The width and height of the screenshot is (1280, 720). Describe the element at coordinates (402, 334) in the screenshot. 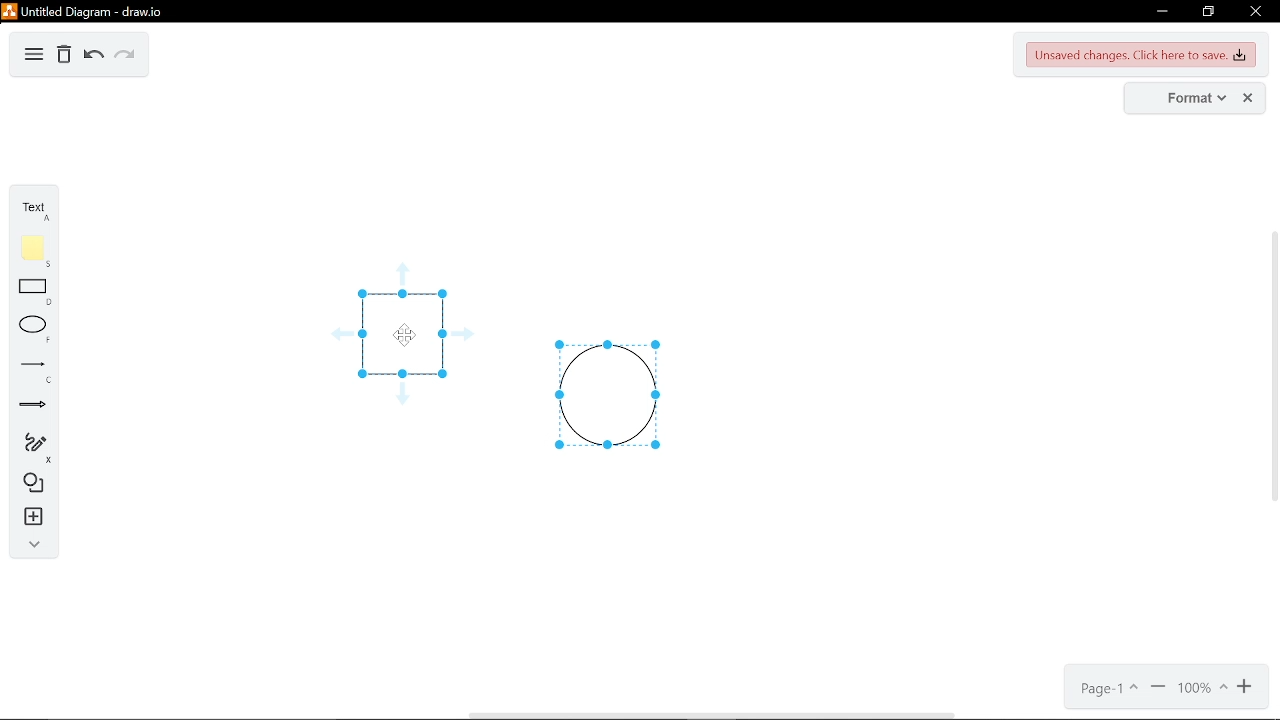

I see `square selected` at that location.